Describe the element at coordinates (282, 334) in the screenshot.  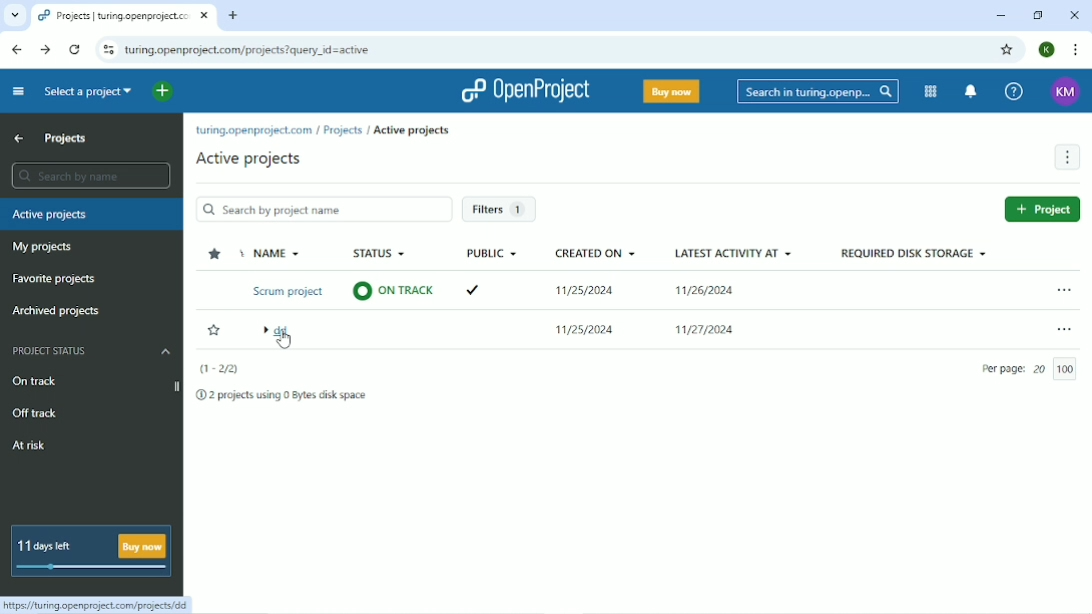
I see `dd` at that location.